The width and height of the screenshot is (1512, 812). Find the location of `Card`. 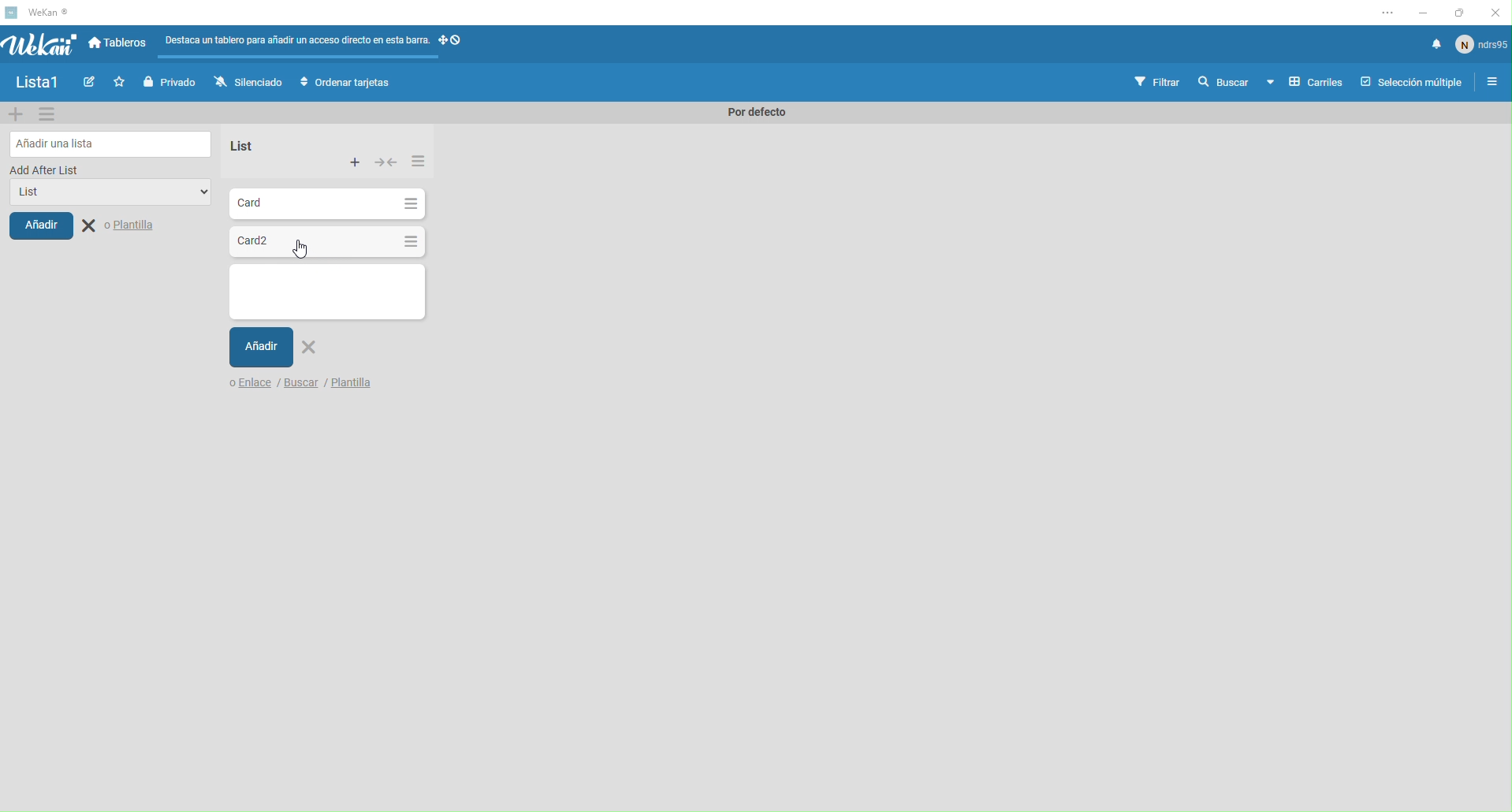

Card is located at coordinates (290, 202).